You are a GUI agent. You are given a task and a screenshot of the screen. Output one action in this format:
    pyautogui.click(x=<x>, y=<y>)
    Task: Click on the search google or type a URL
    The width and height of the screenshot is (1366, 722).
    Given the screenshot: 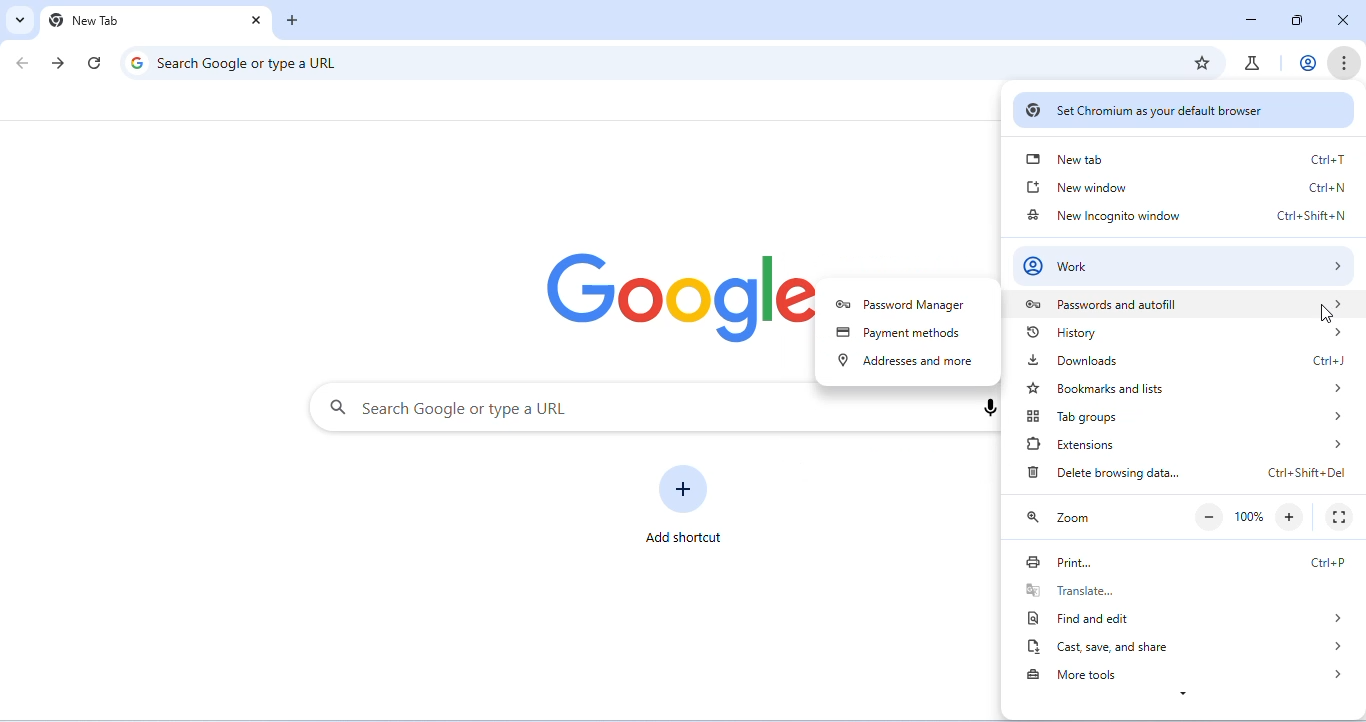 What is the action you would take?
    pyautogui.click(x=262, y=63)
    